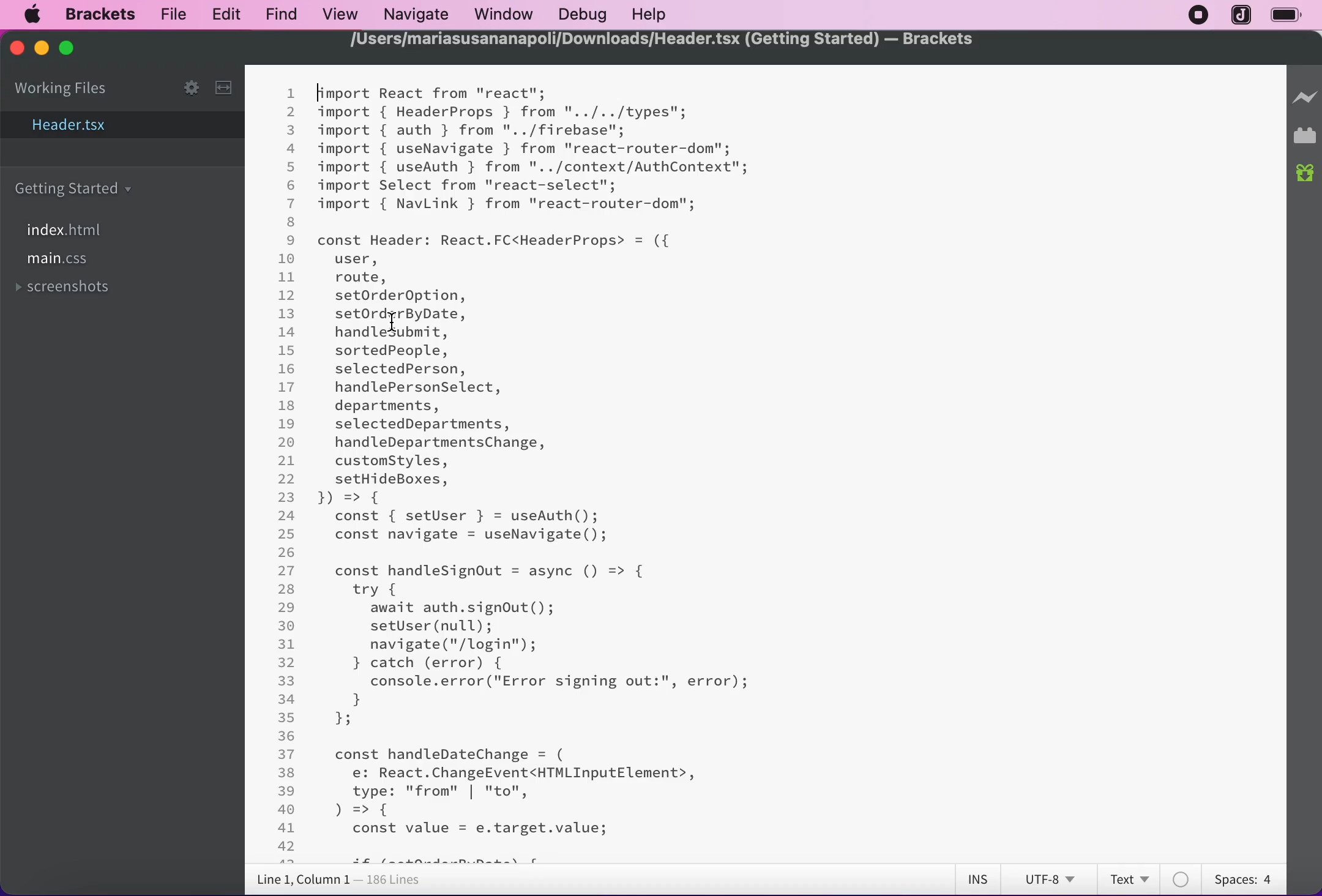  What do you see at coordinates (287, 753) in the screenshot?
I see `37` at bounding box center [287, 753].